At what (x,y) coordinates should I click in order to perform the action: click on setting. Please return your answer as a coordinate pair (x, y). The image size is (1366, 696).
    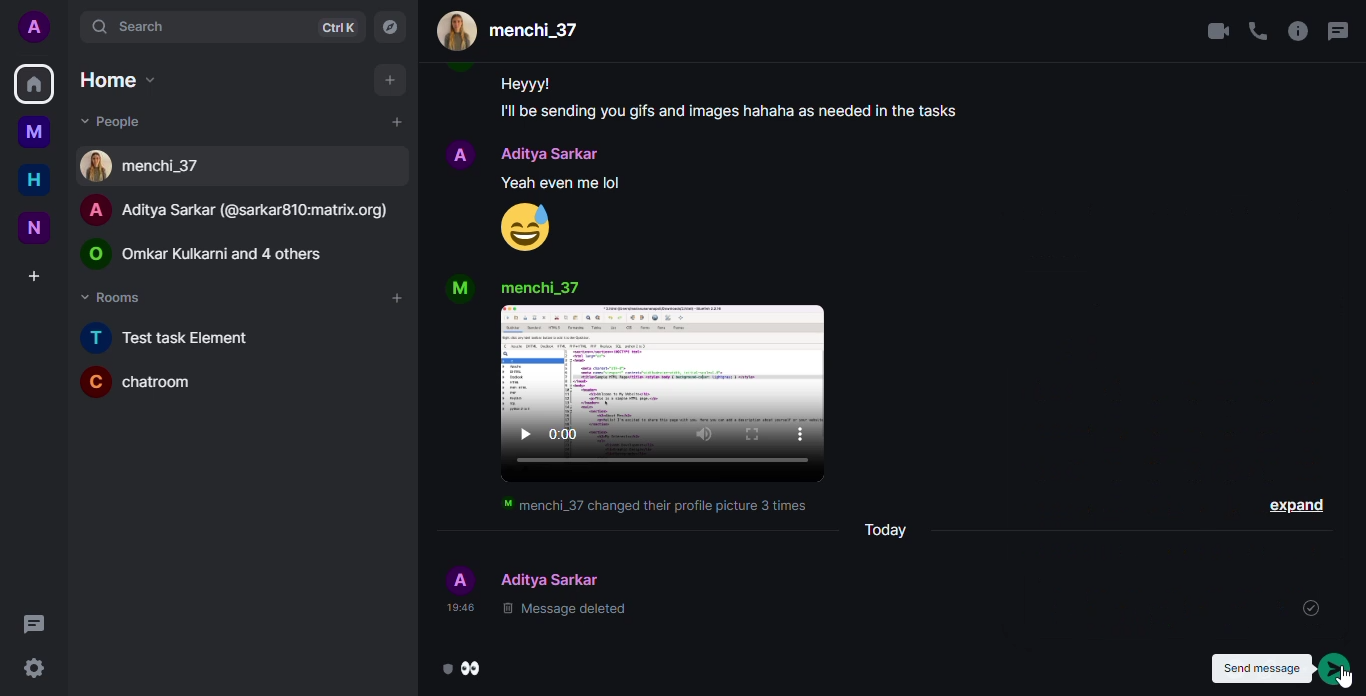
    Looking at the image, I should click on (33, 668).